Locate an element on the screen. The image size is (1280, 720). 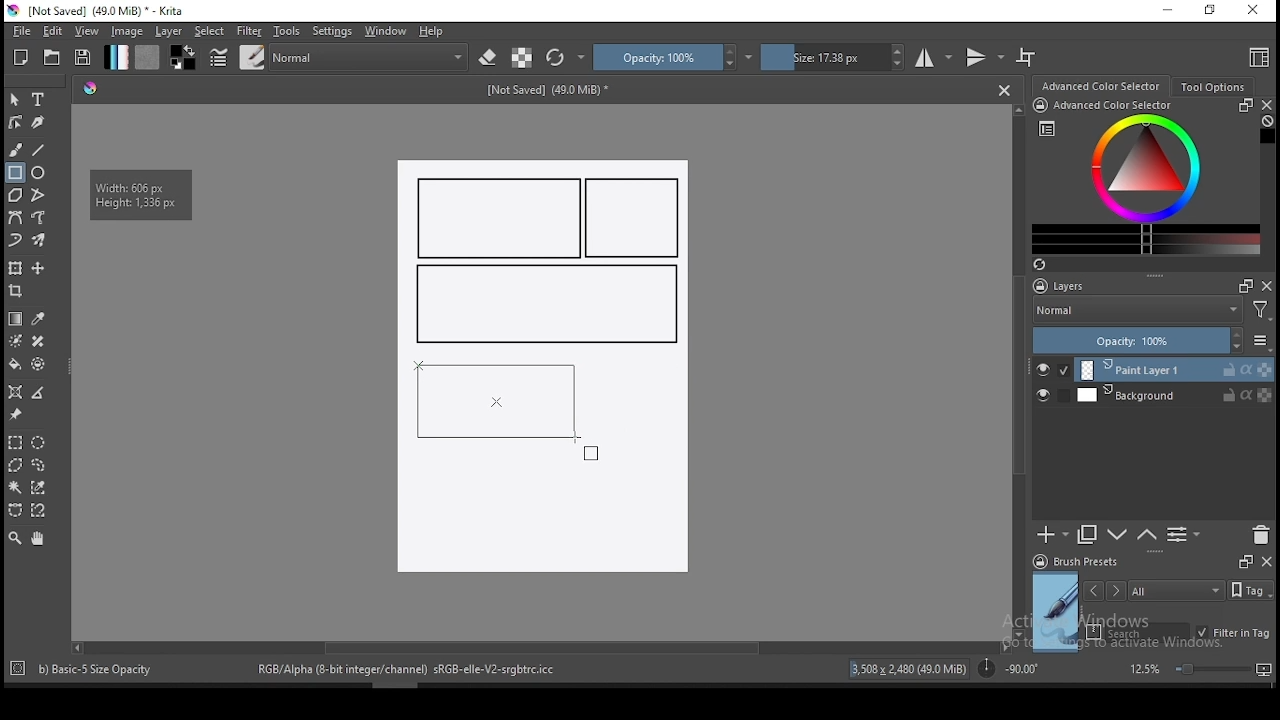
line tool is located at coordinates (39, 150).